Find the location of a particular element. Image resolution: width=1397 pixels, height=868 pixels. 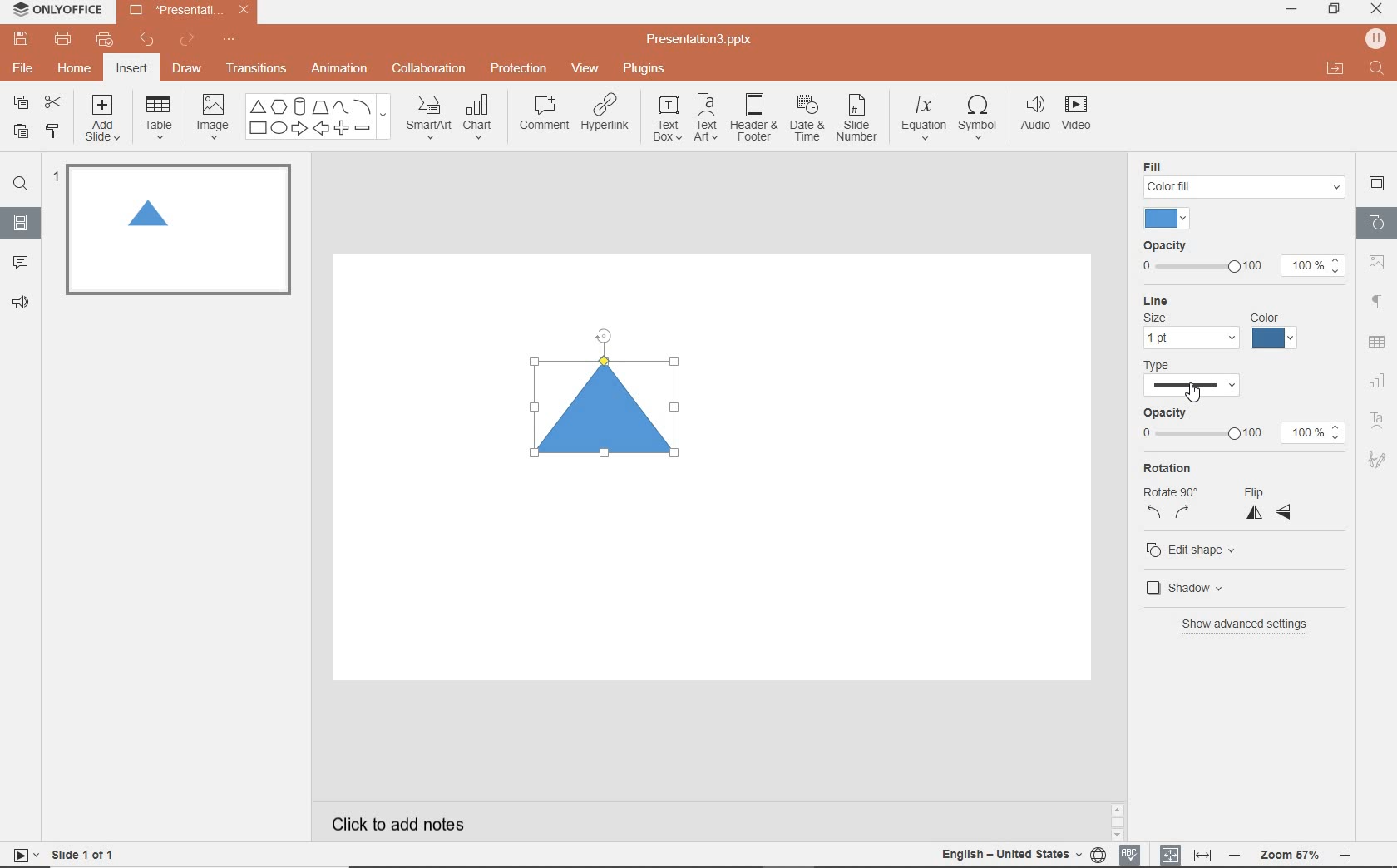

zoom out is located at coordinates (1237, 856).